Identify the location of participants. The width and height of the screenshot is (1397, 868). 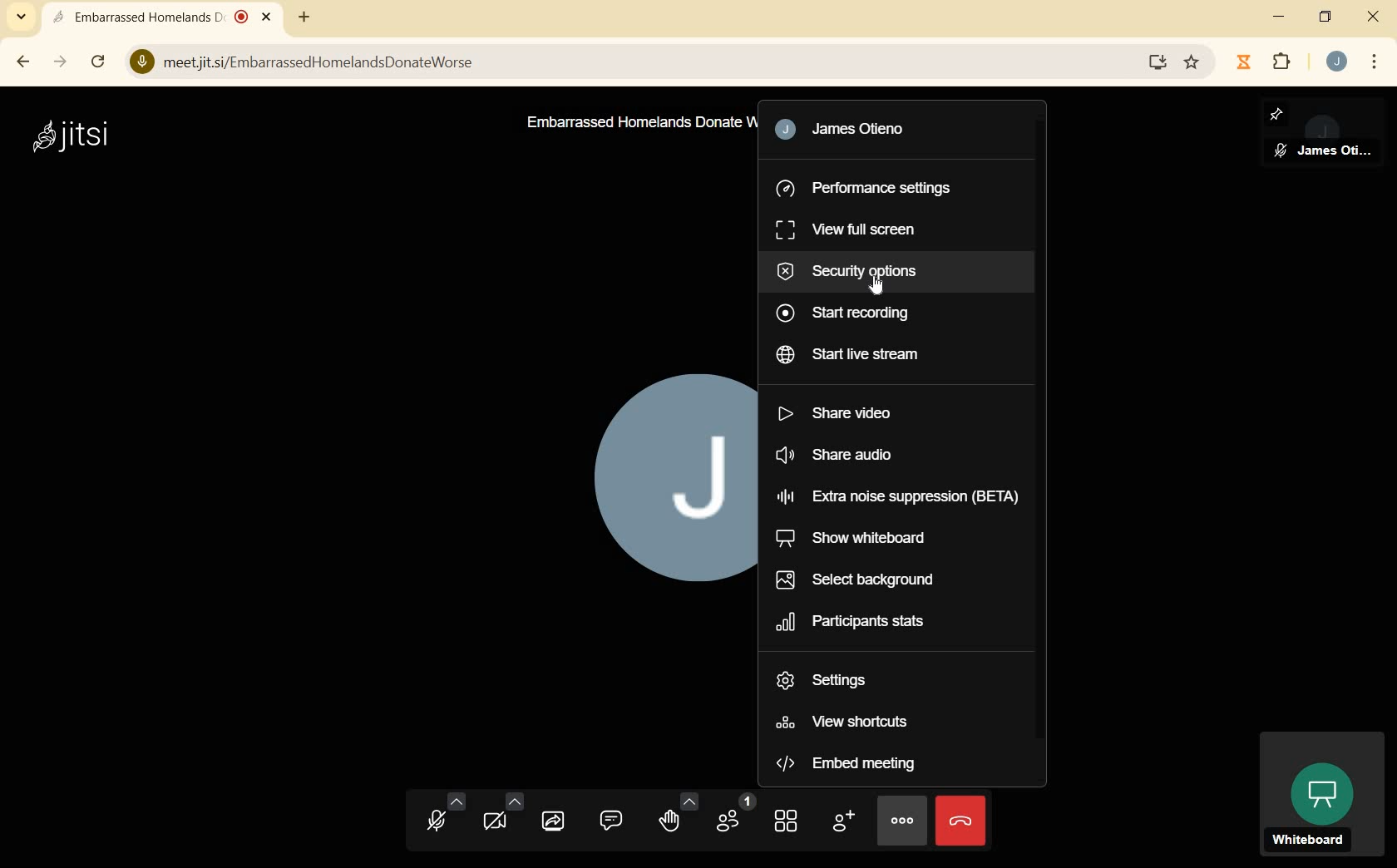
(736, 818).